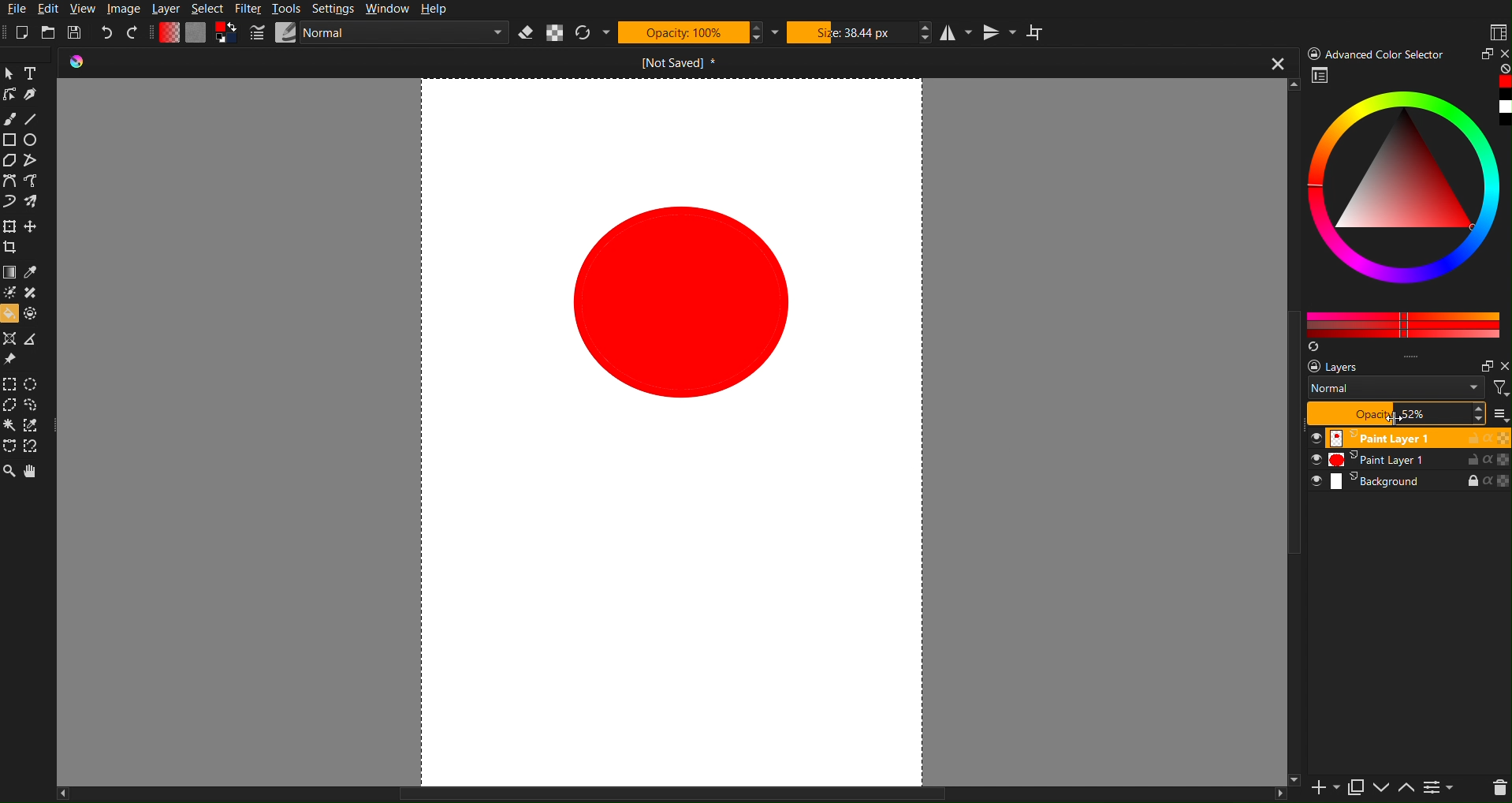  Describe the element at coordinates (247, 10) in the screenshot. I see `Filter` at that location.